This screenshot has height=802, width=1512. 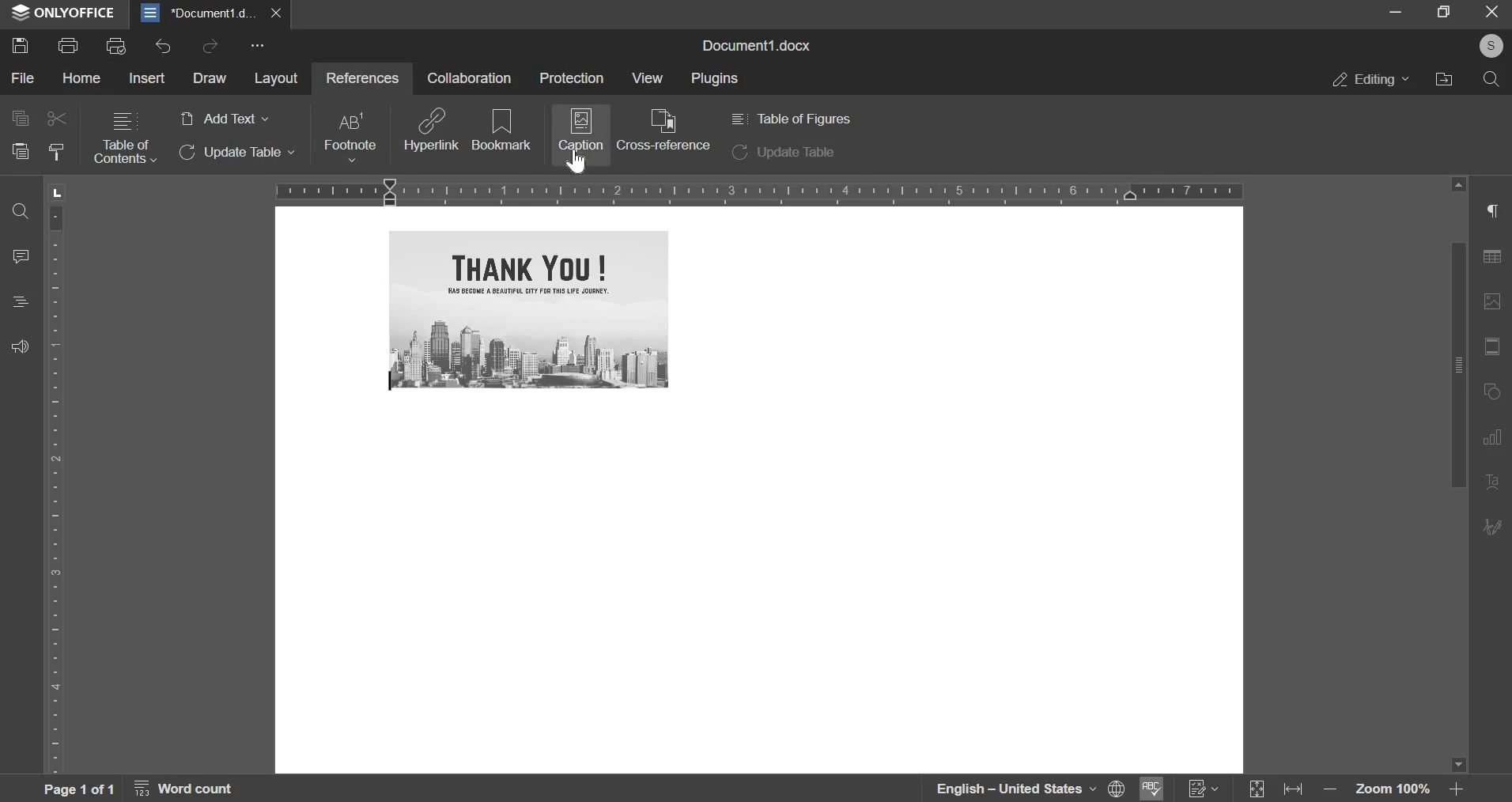 What do you see at coordinates (82, 78) in the screenshot?
I see `home` at bounding box center [82, 78].